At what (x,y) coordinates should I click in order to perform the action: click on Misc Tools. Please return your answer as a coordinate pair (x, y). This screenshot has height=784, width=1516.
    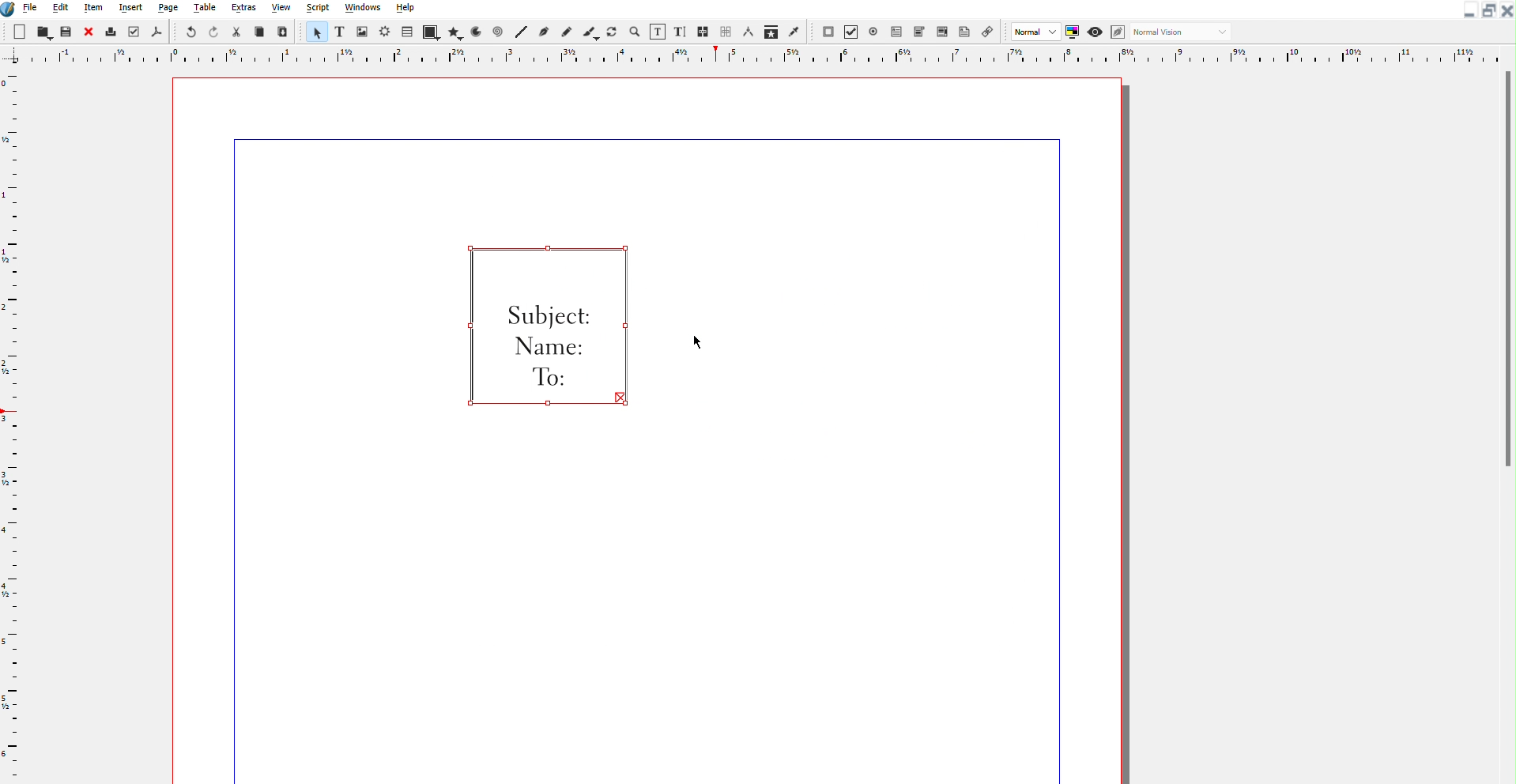
    Looking at the image, I should click on (773, 32).